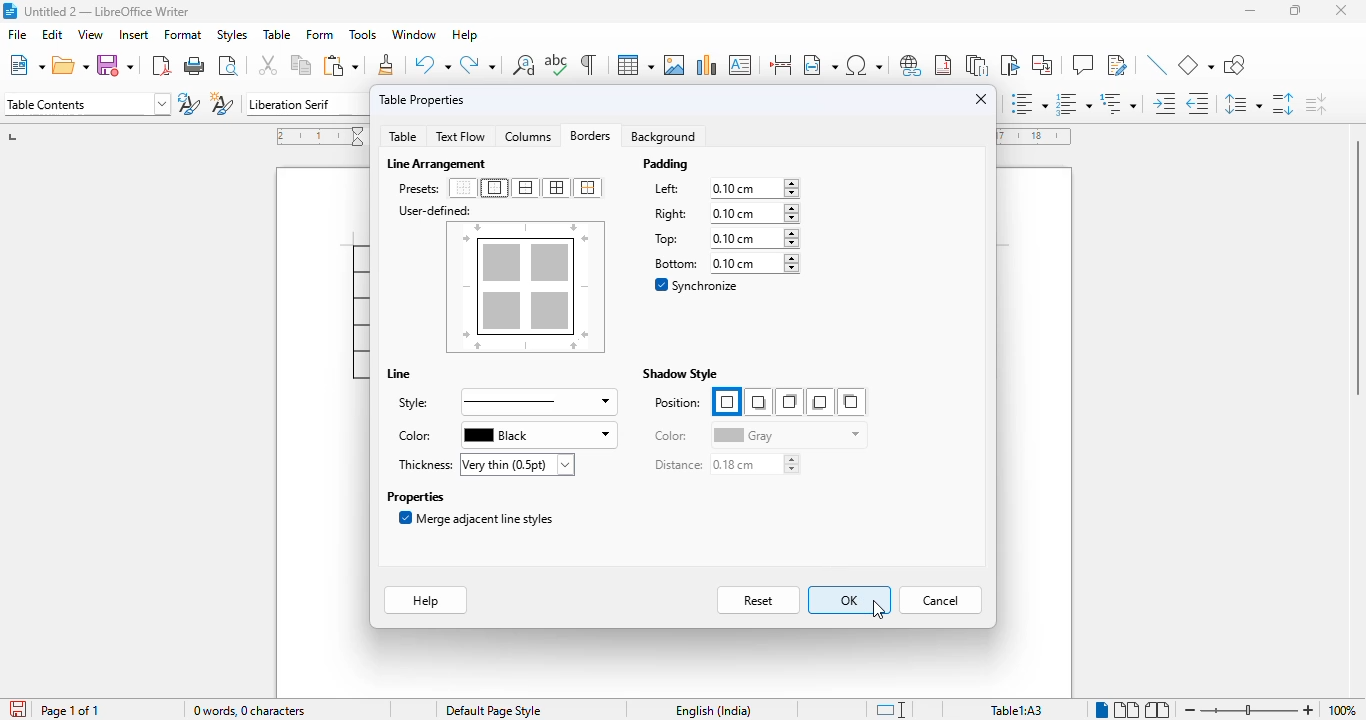 The image size is (1366, 720). I want to click on clone formatting, so click(388, 64).